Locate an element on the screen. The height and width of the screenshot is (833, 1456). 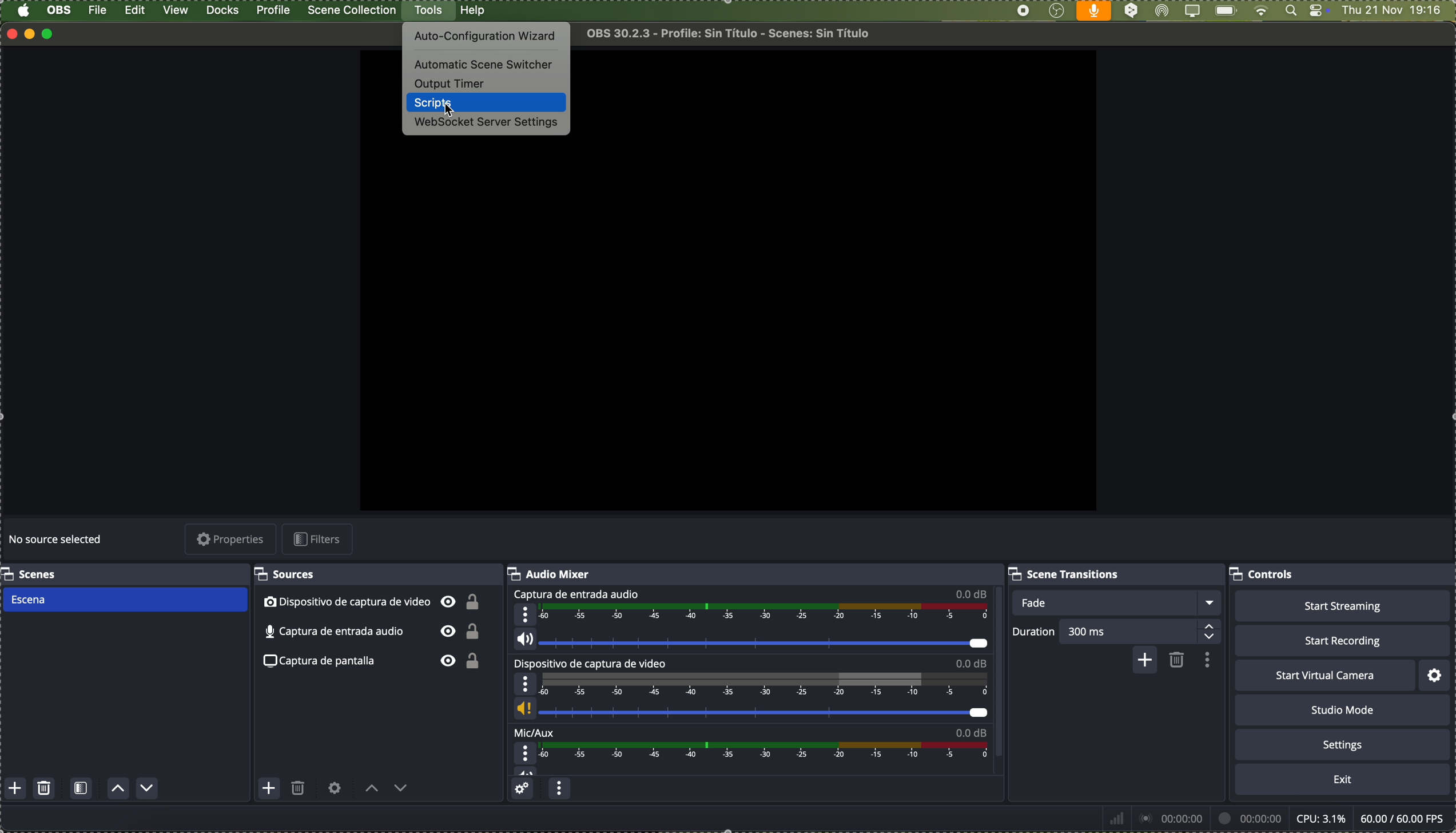
audio input capture is located at coordinates (748, 619).